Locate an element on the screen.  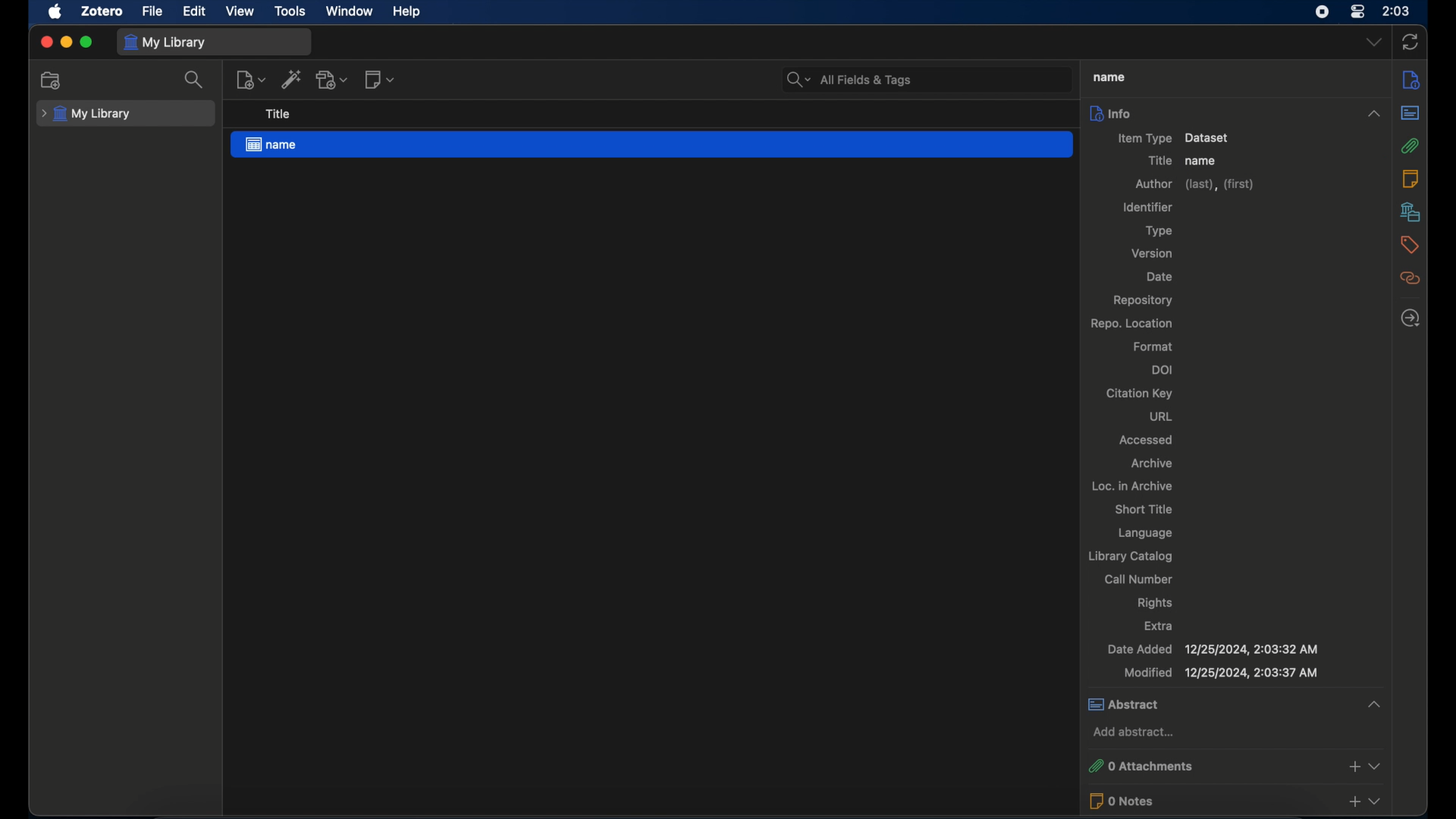
screen recorder is located at coordinates (1323, 12).